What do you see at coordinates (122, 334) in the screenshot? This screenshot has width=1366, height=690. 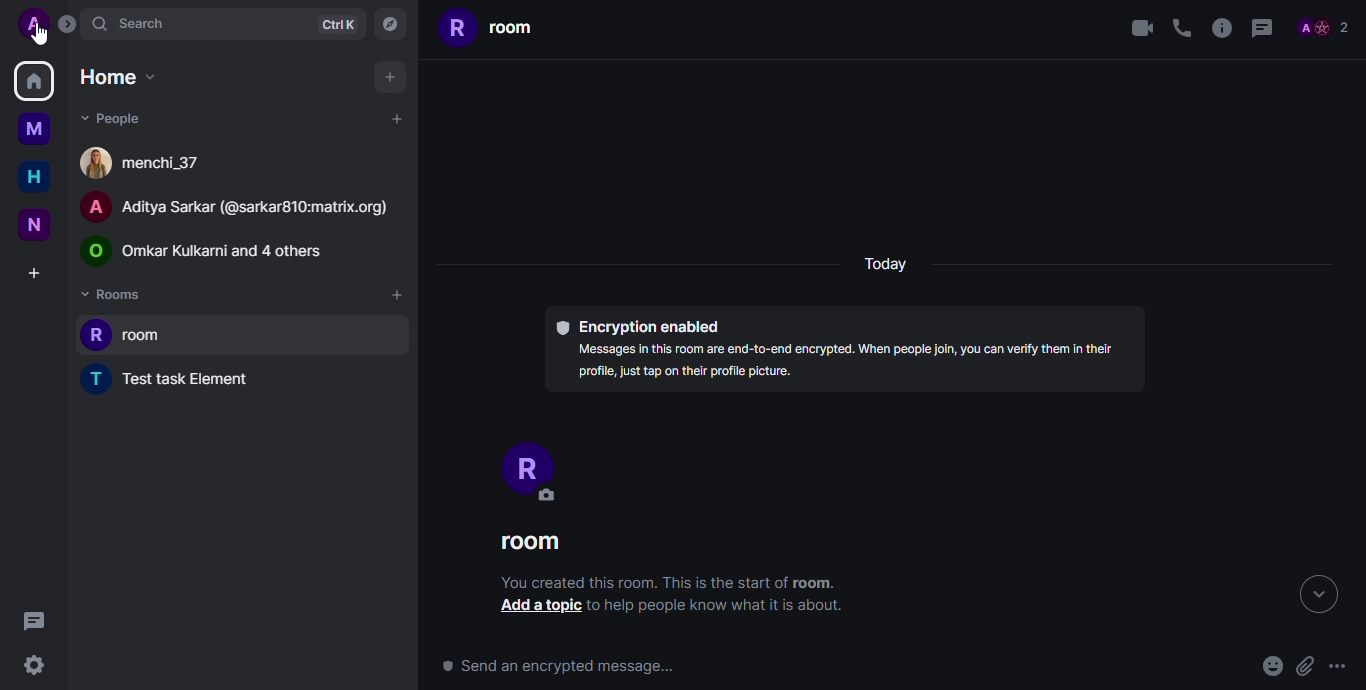 I see `room` at bounding box center [122, 334].